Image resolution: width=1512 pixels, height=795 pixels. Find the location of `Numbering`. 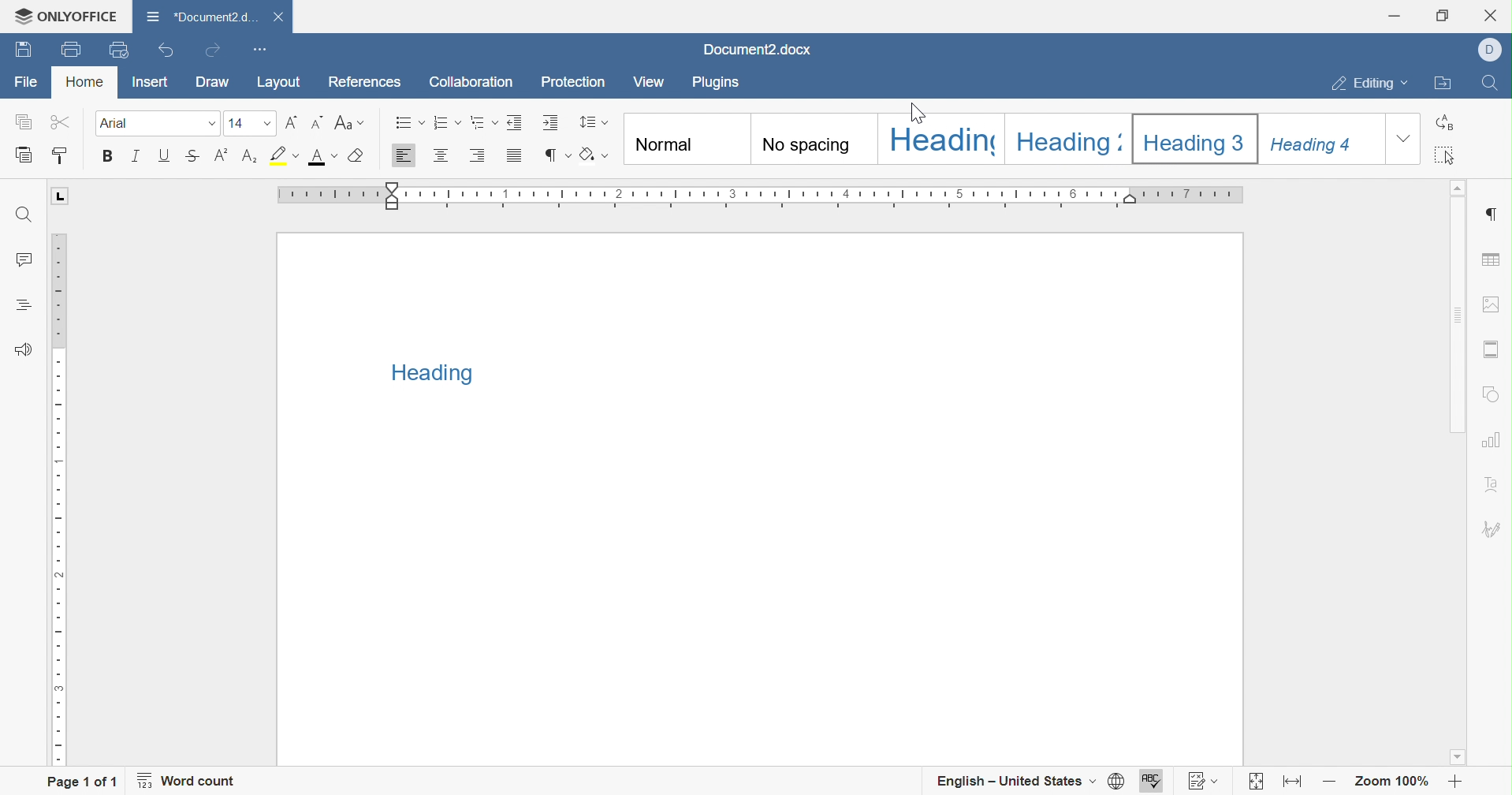

Numbering is located at coordinates (441, 125).